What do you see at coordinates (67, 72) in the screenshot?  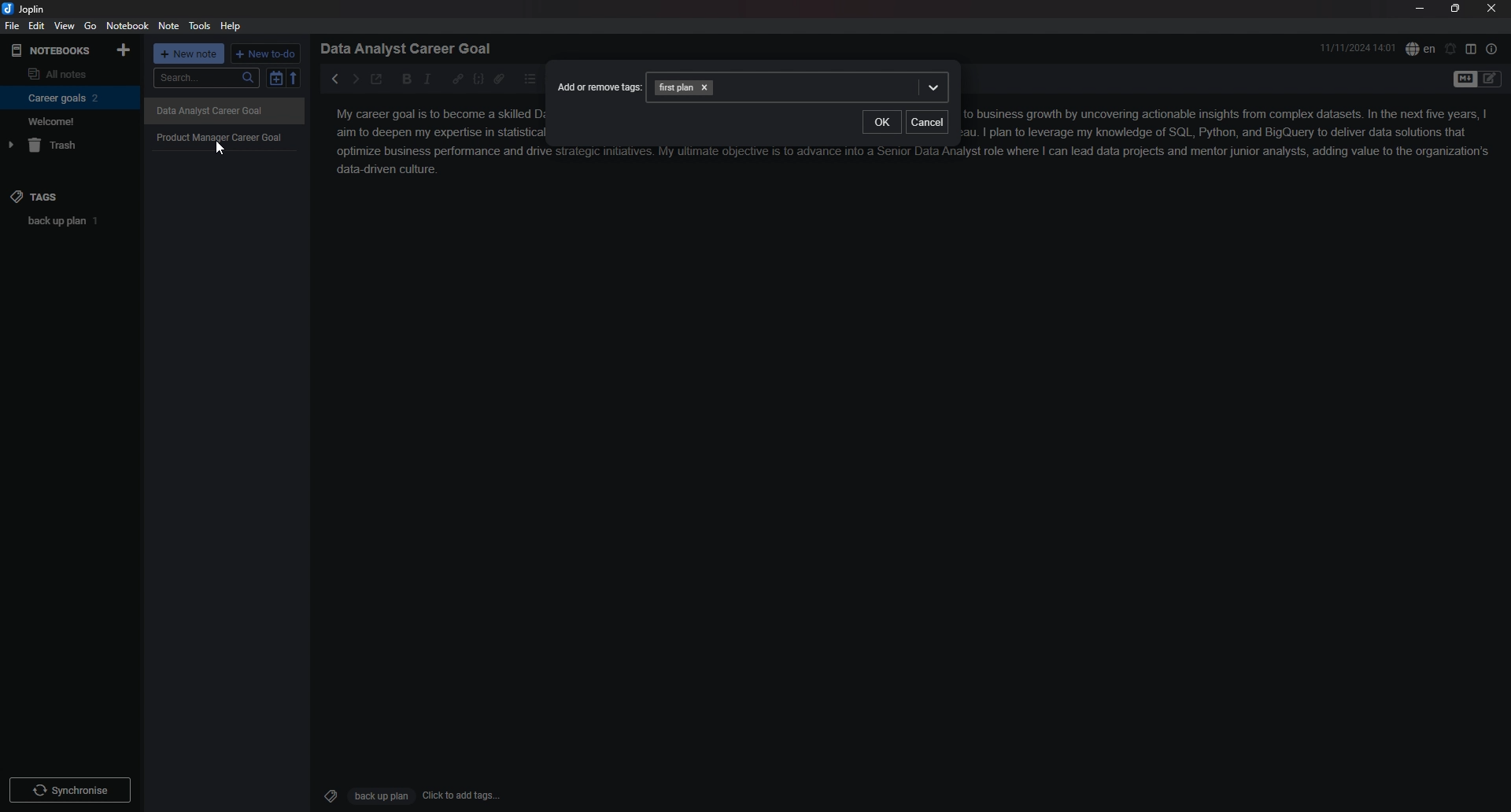 I see `all notes` at bounding box center [67, 72].